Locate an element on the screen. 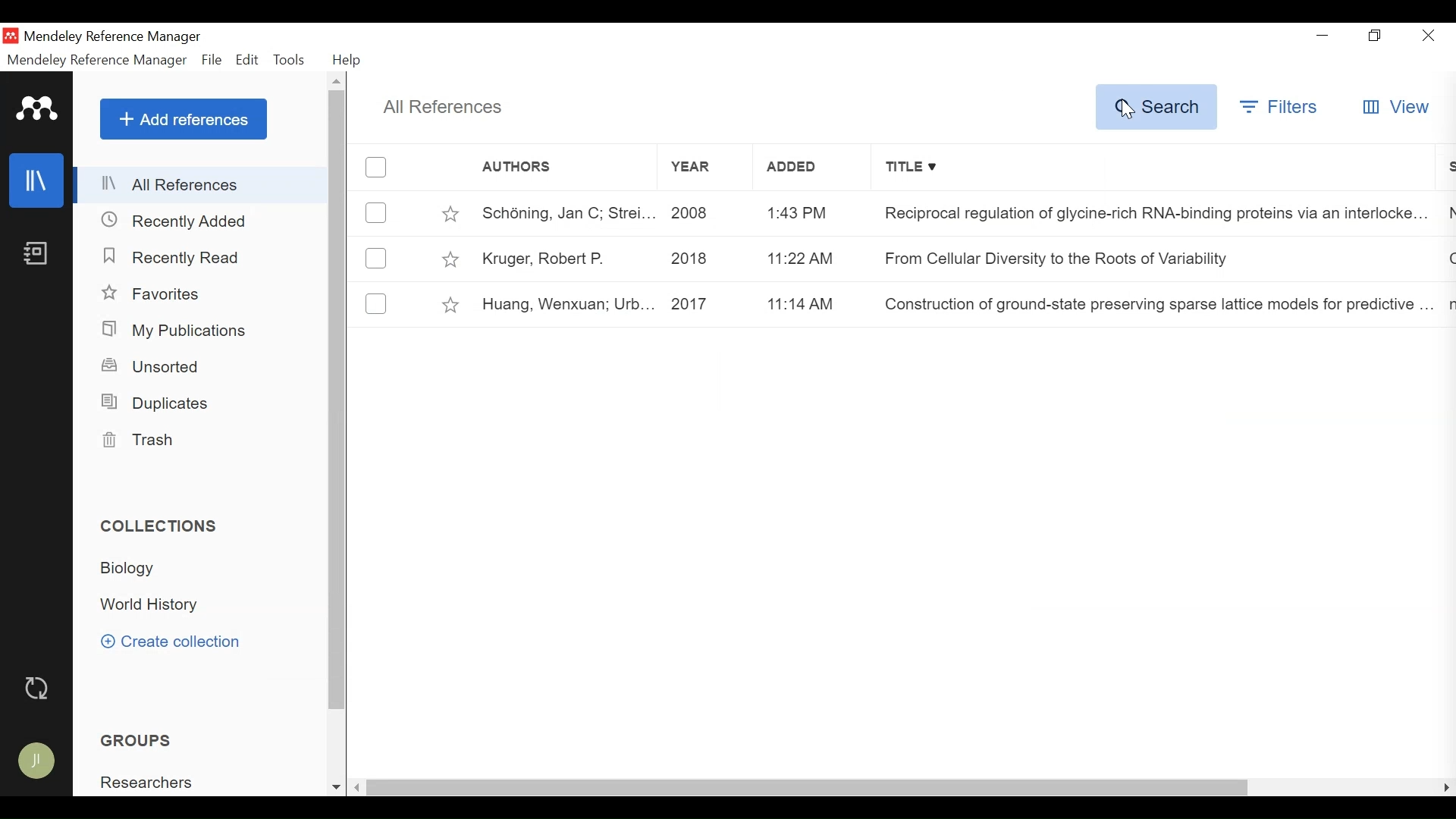 The width and height of the screenshot is (1456, 819). (un)select is located at coordinates (377, 212).